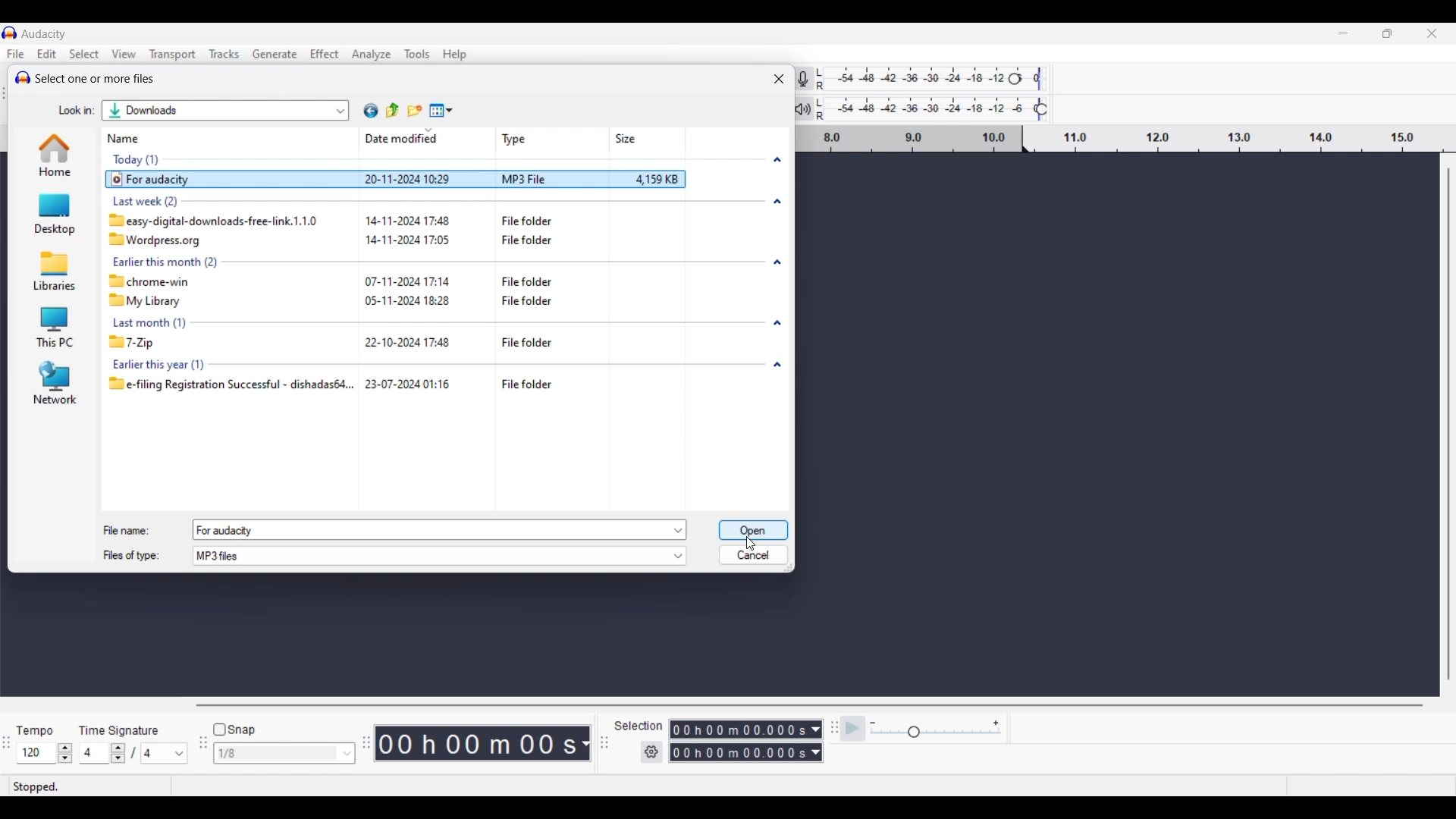  I want to click on Last month(1), so click(348, 324).